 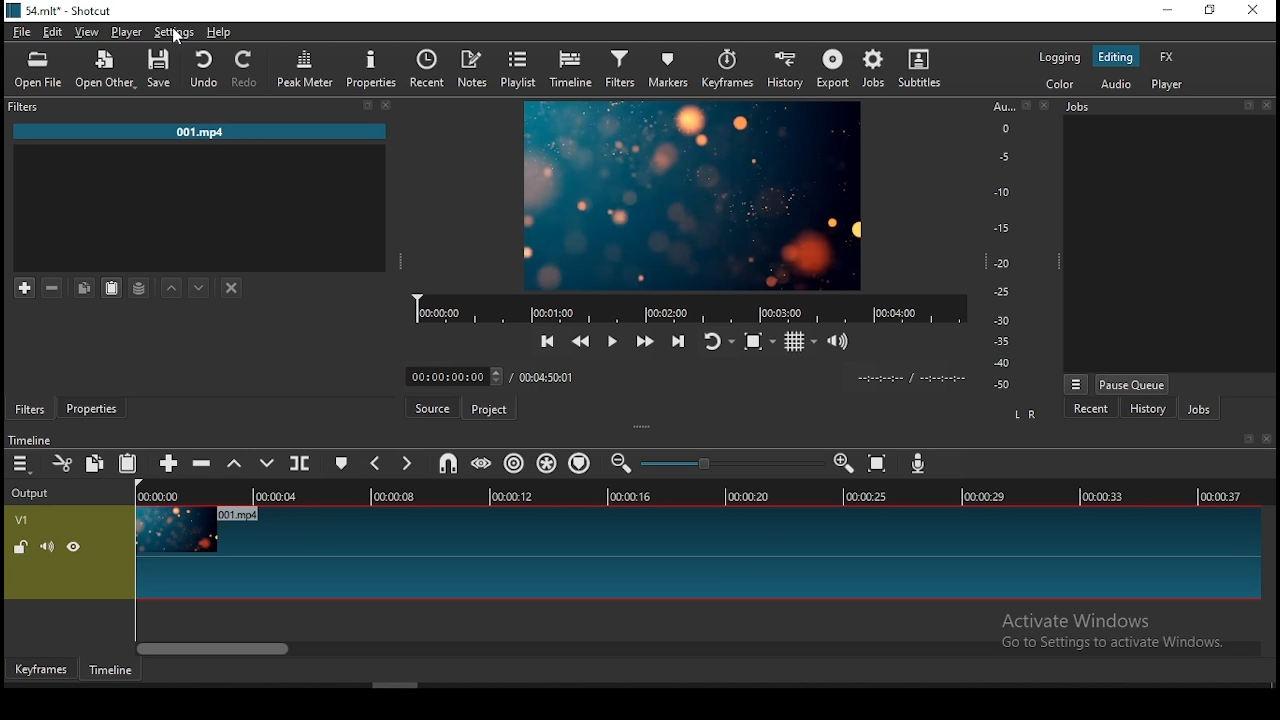 What do you see at coordinates (573, 69) in the screenshot?
I see `timeline` at bounding box center [573, 69].